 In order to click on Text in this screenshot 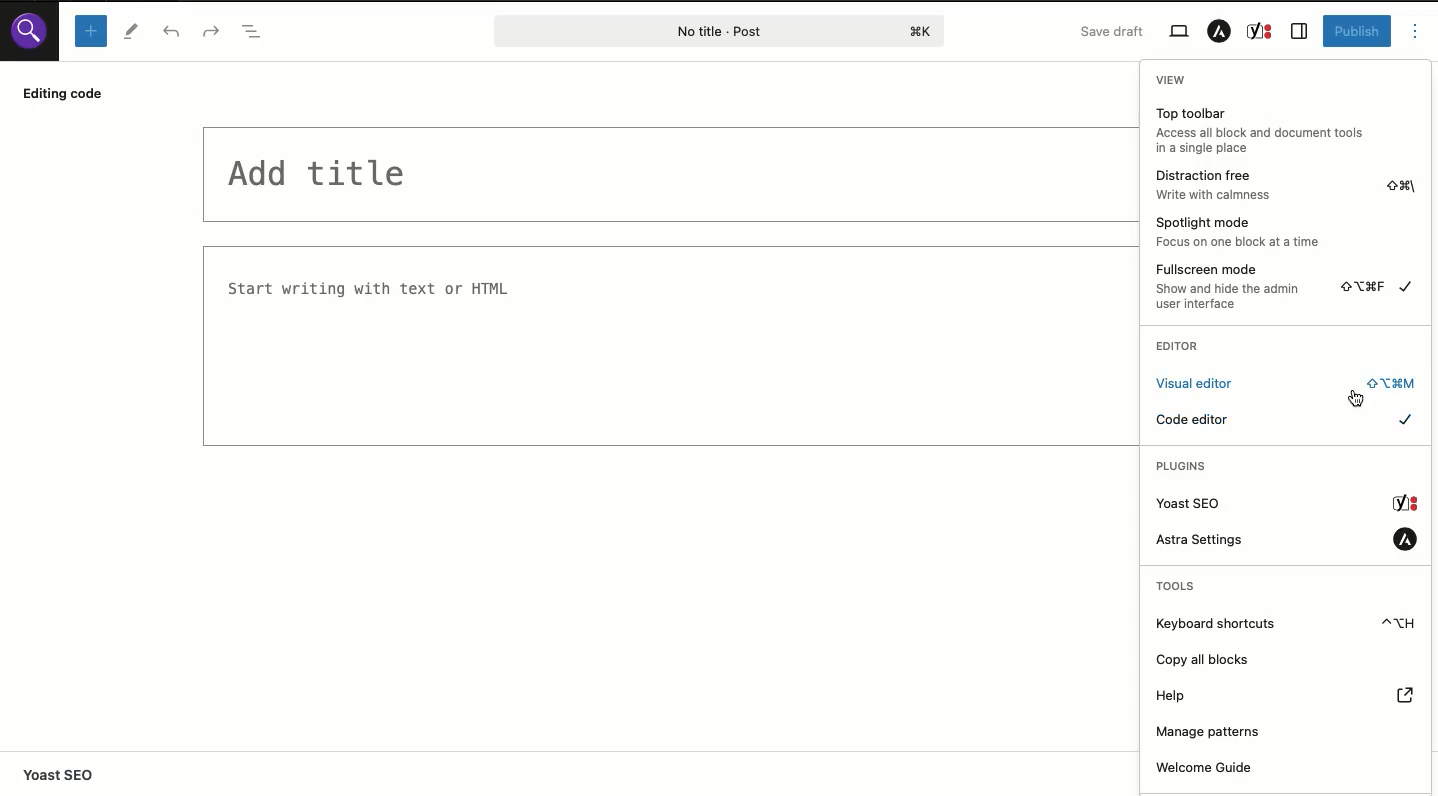, I will do `click(370, 276)`.